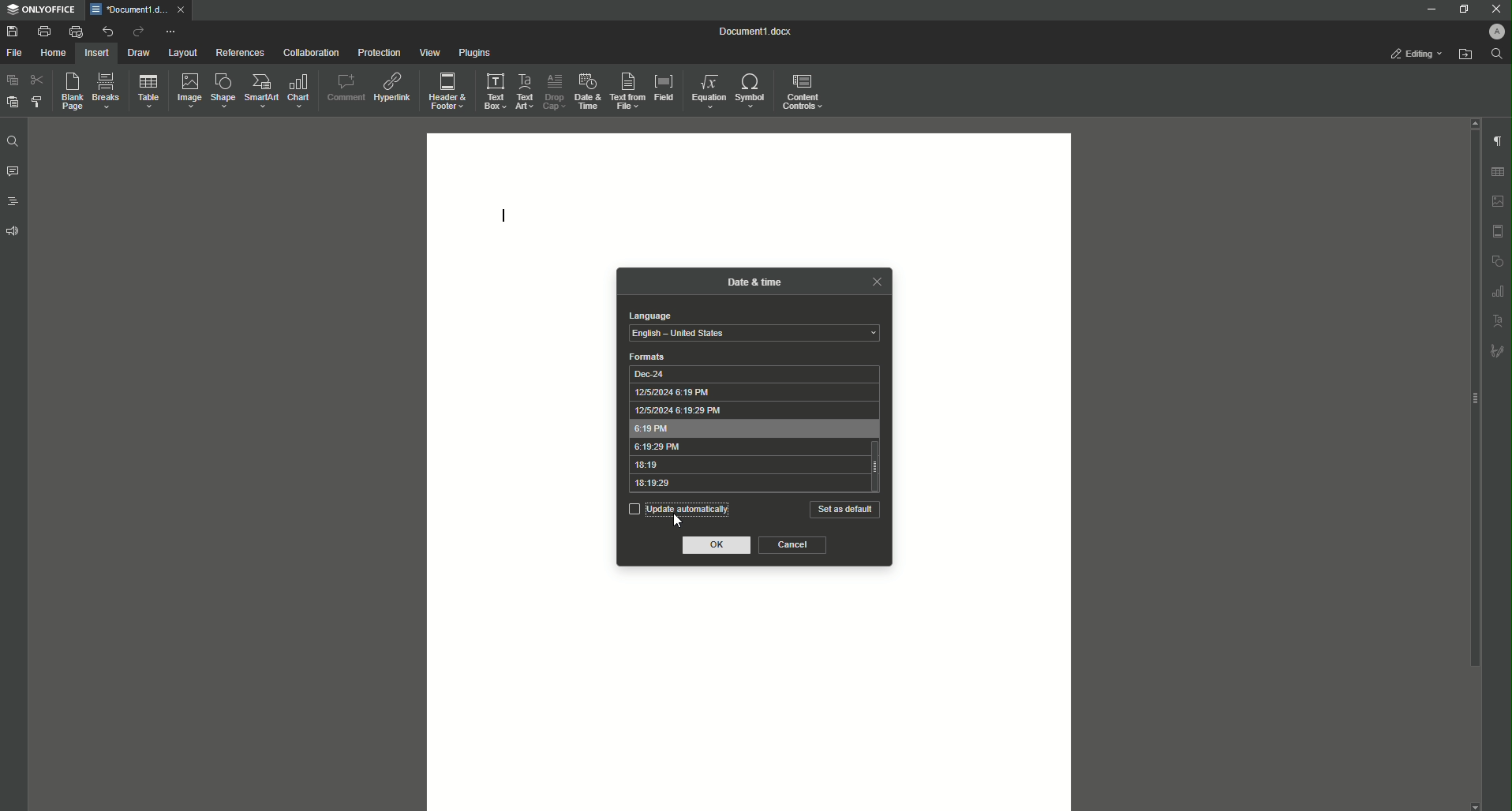 This screenshot has width=1512, height=811. I want to click on Editing, so click(1417, 54).